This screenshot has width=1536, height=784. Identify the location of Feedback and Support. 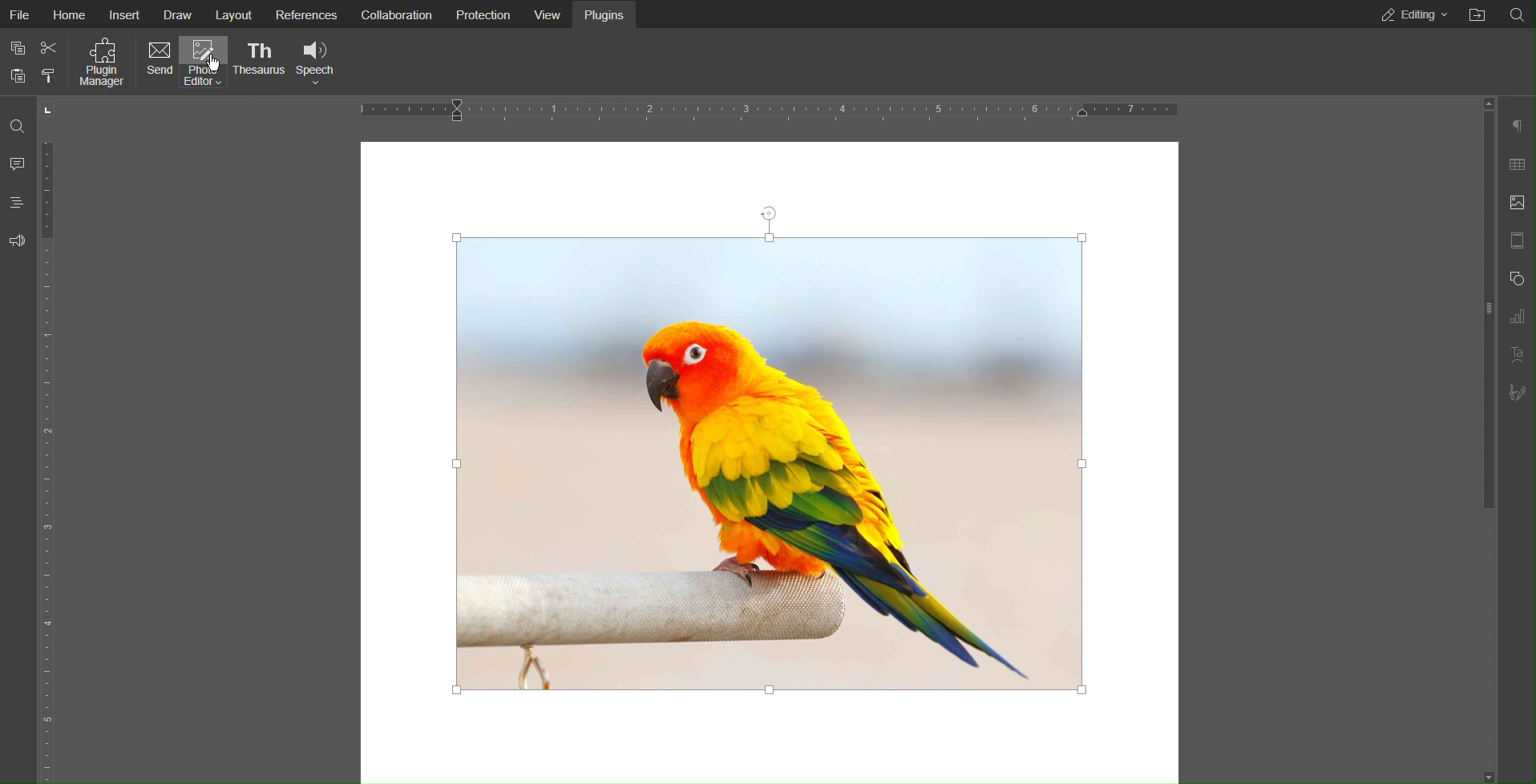
(18, 240).